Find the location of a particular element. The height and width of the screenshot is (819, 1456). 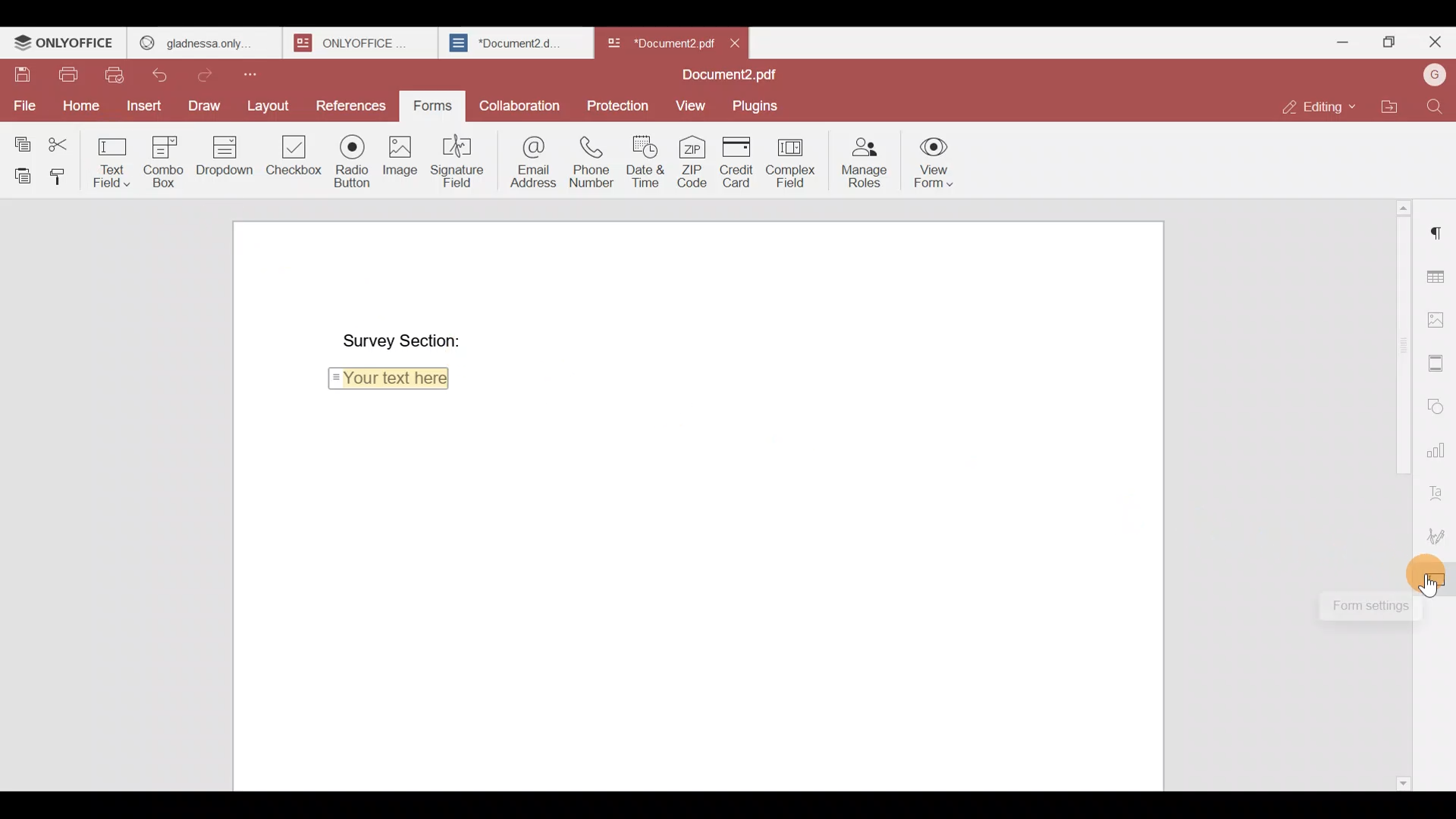

Survey Section: is located at coordinates (388, 338).